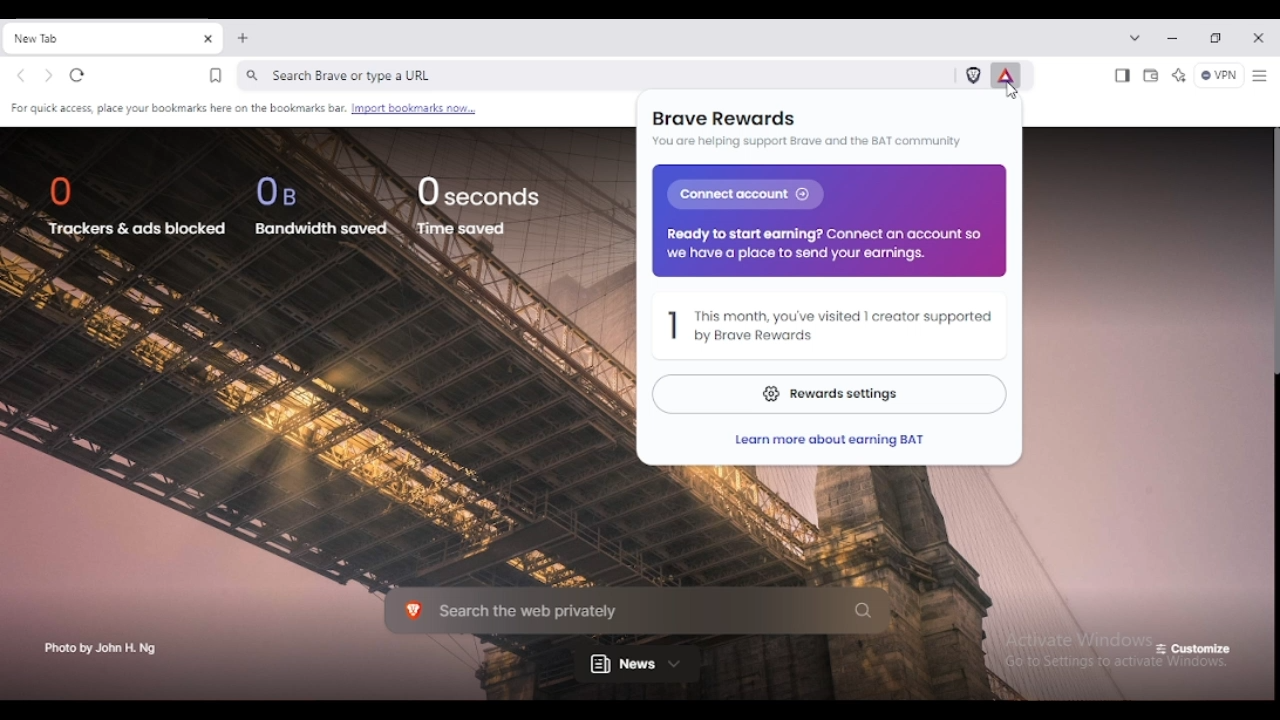  I want to click on photo by John H. Ng, so click(101, 650).